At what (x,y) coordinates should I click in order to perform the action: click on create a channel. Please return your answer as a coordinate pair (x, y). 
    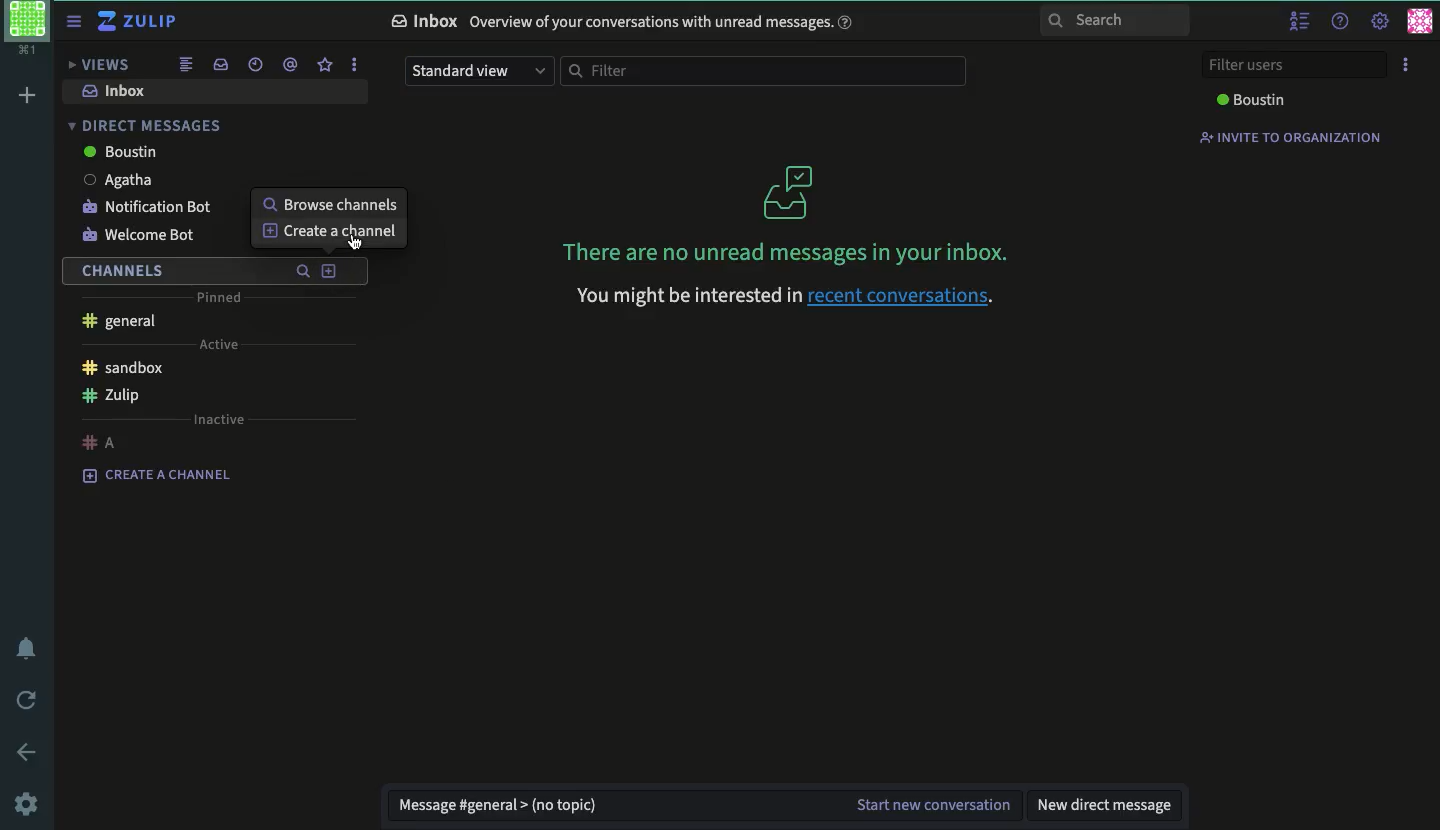
    Looking at the image, I should click on (158, 475).